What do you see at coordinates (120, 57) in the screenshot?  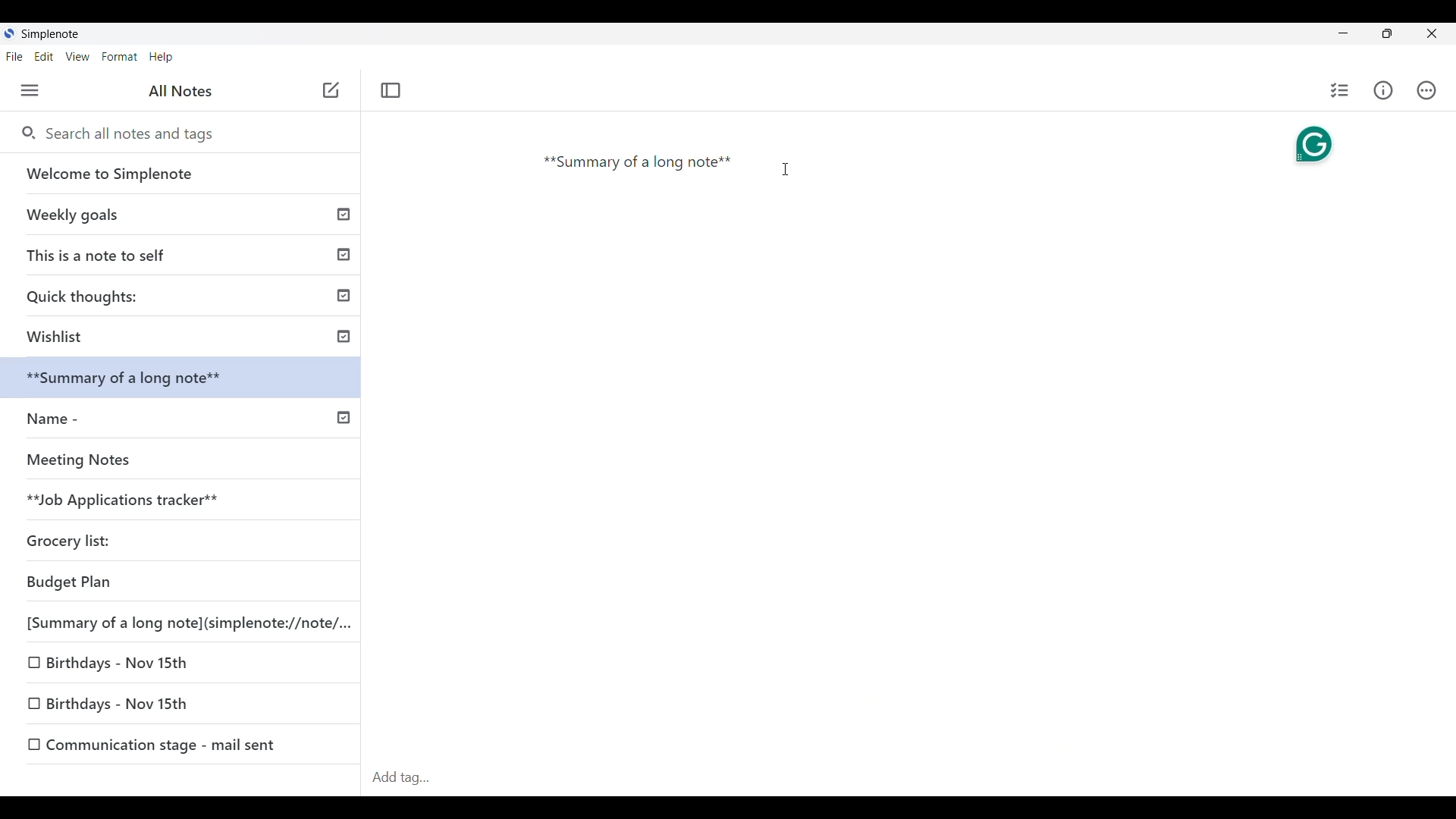 I see `Format` at bounding box center [120, 57].